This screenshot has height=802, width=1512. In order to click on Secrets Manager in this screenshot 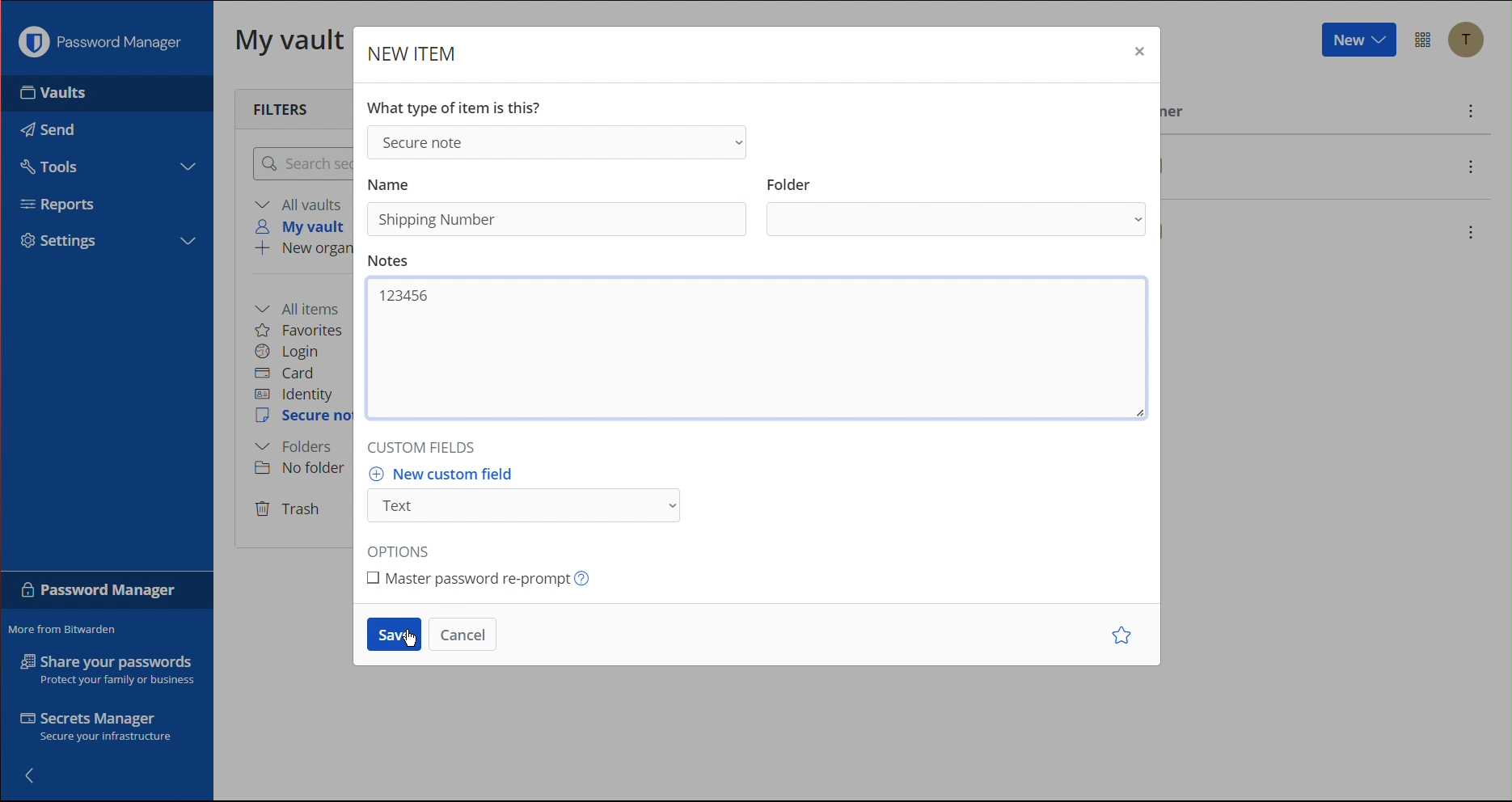, I will do `click(94, 726)`.